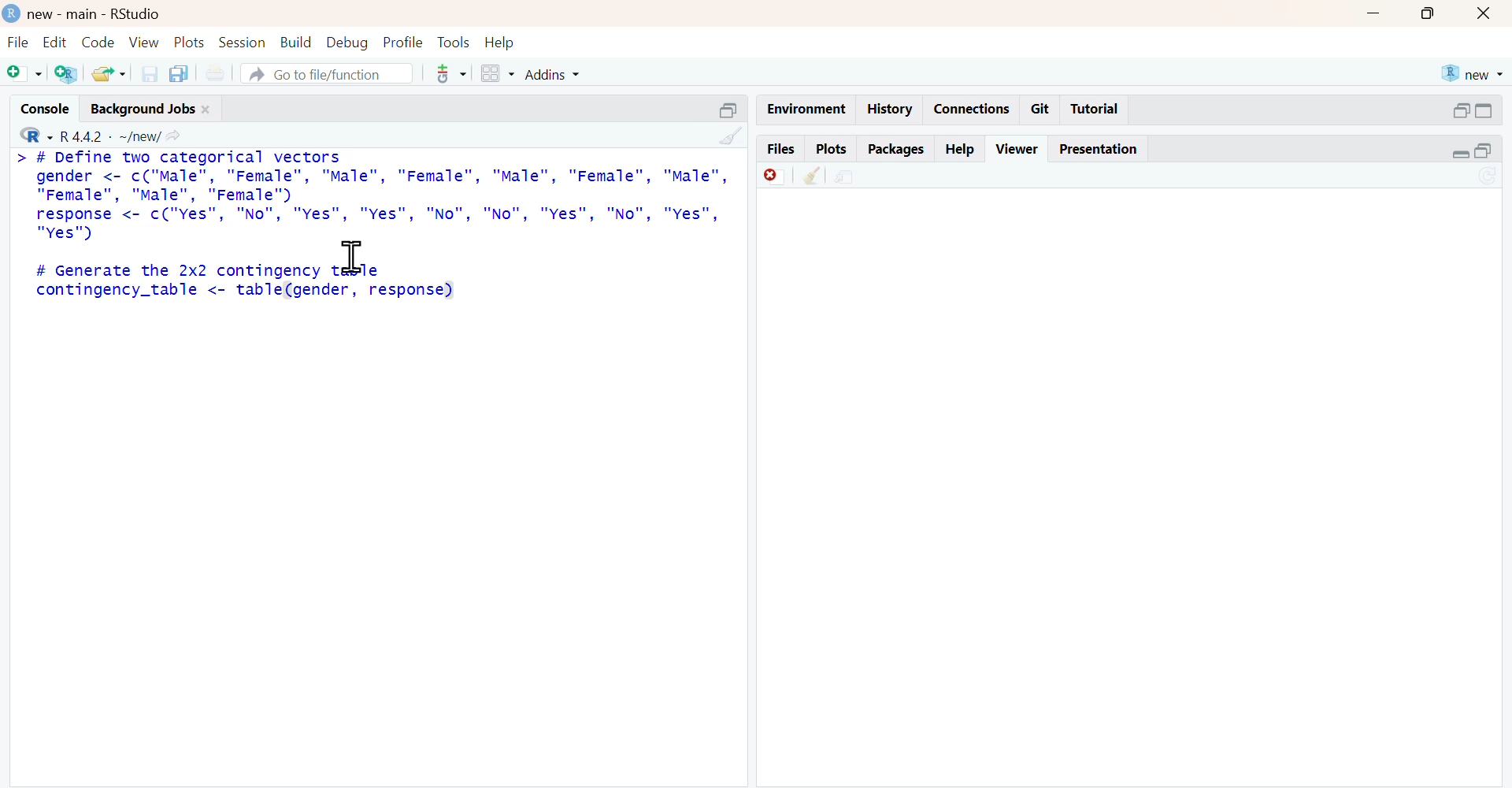  What do you see at coordinates (1484, 14) in the screenshot?
I see `close` at bounding box center [1484, 14].